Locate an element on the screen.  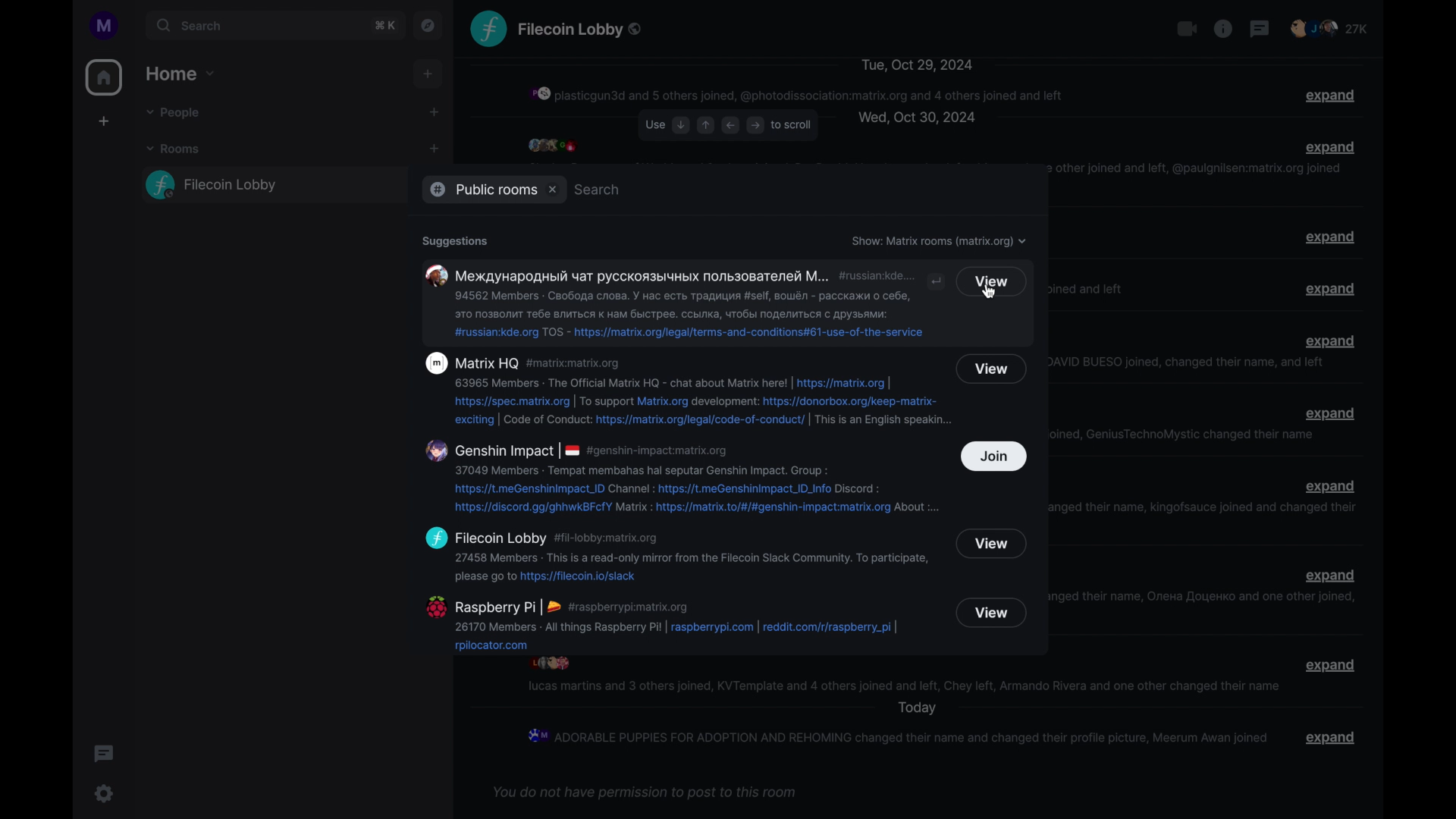
join is located at coordinates (994, 457).